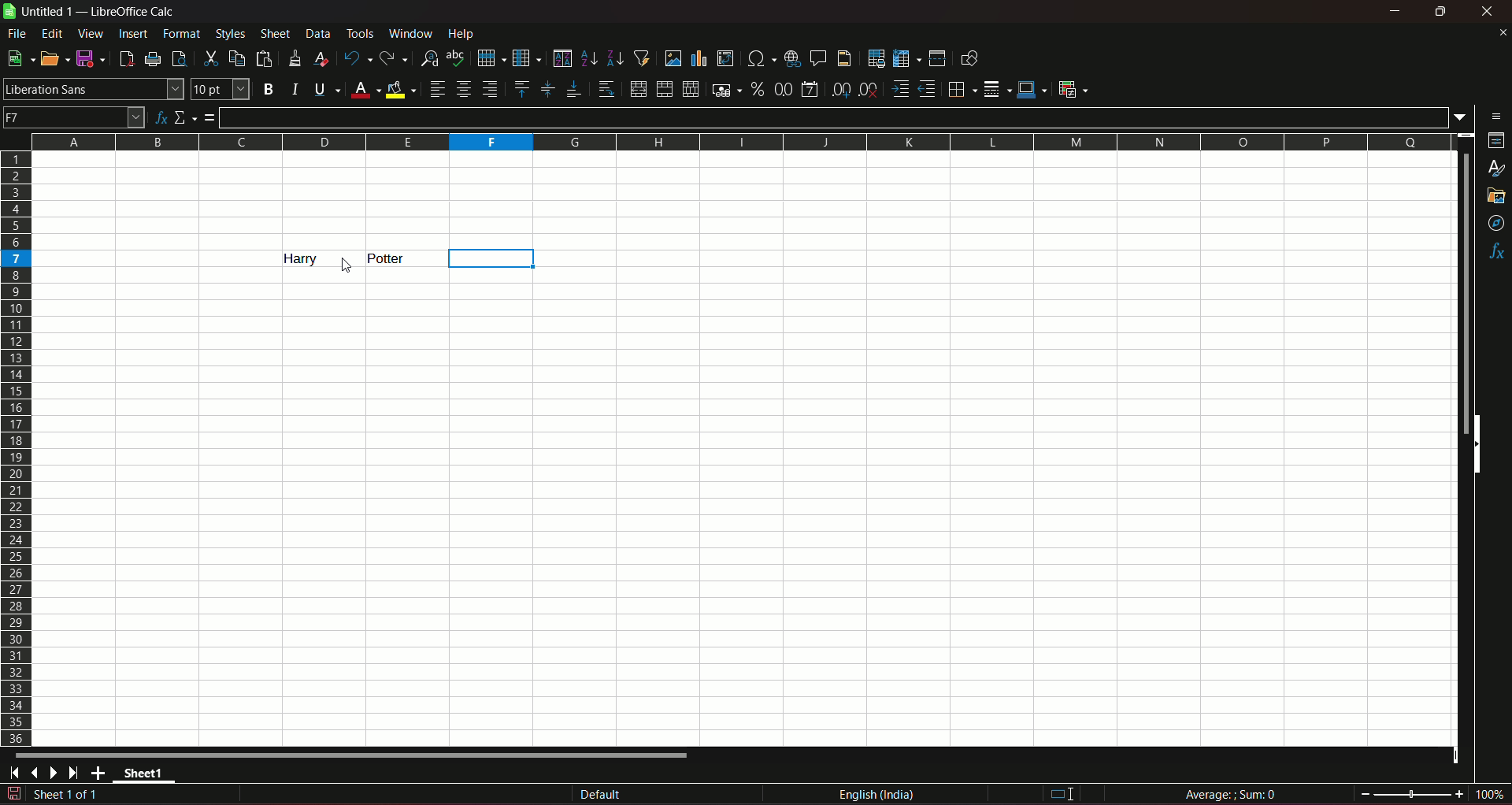 This screenshot has width=1512, height=805. I want to click on sheet name, so click(40, 12).